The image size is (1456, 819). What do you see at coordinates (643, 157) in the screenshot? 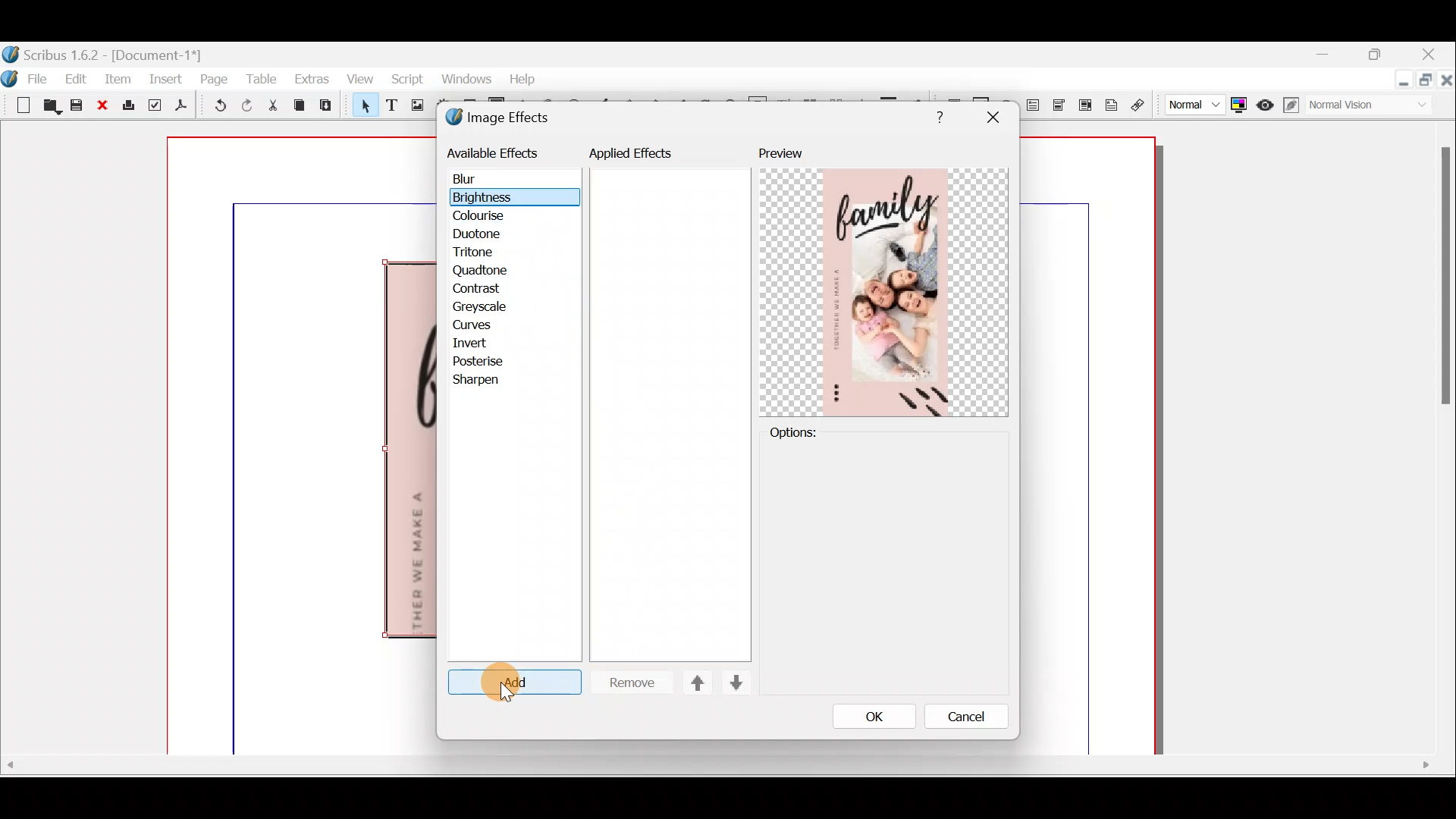
I see `Applied effects` at bounding box center [643, 157].